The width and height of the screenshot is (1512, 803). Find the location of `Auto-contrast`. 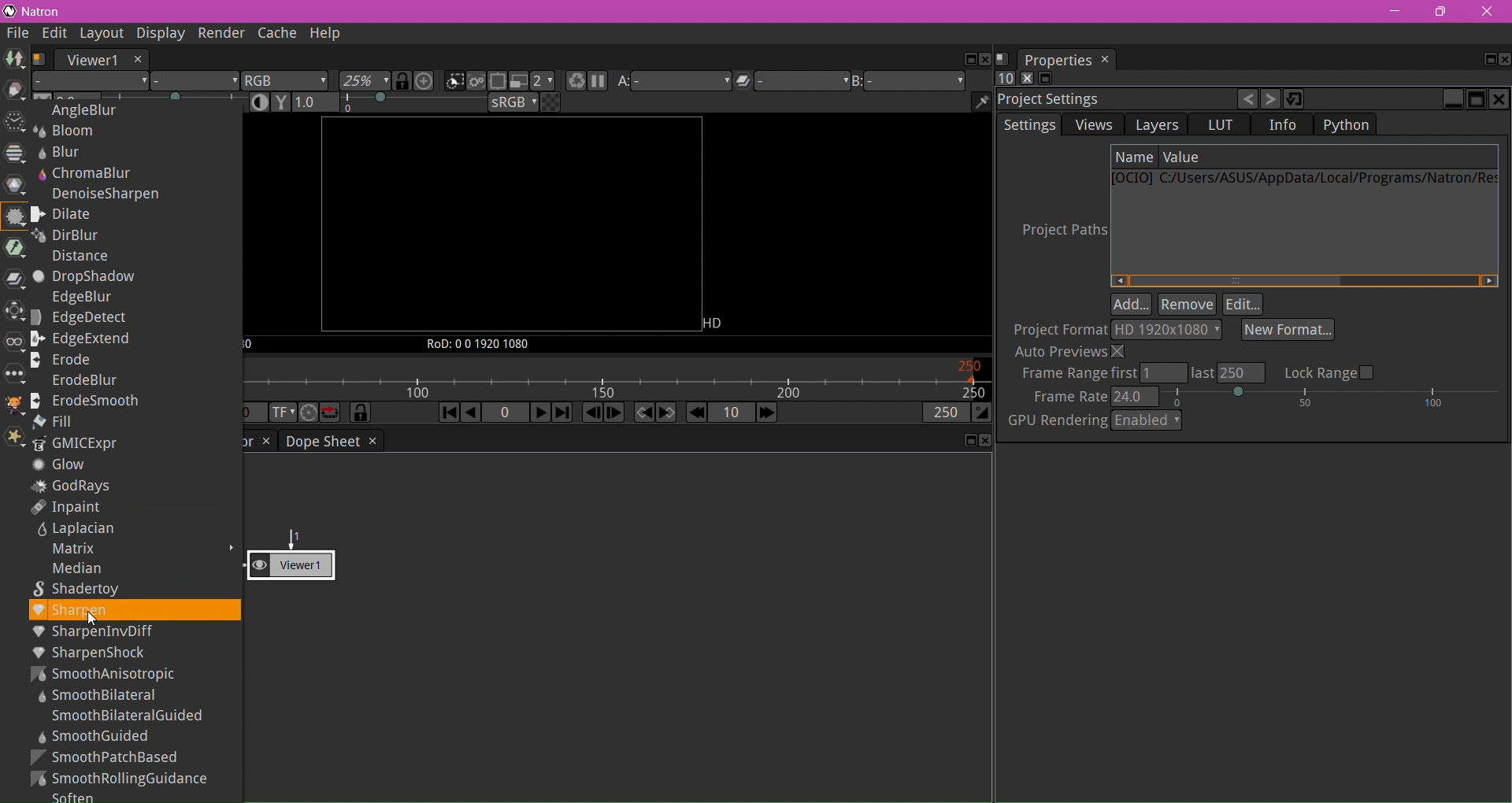

Auto-contrast is located at coordinates (261, 102).